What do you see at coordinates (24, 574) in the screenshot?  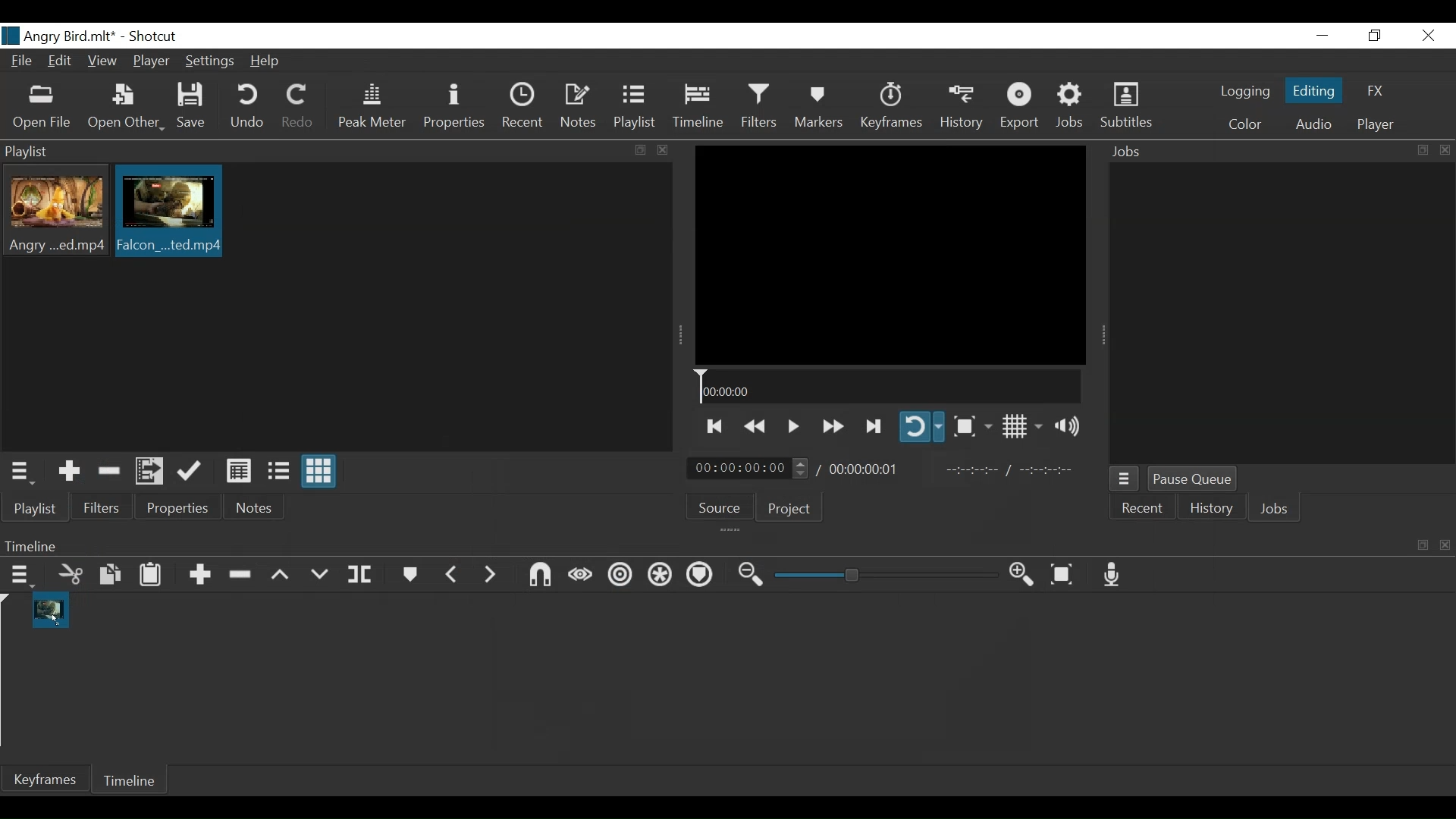 I see `Timeline menu` at bounding box center [24, 574].